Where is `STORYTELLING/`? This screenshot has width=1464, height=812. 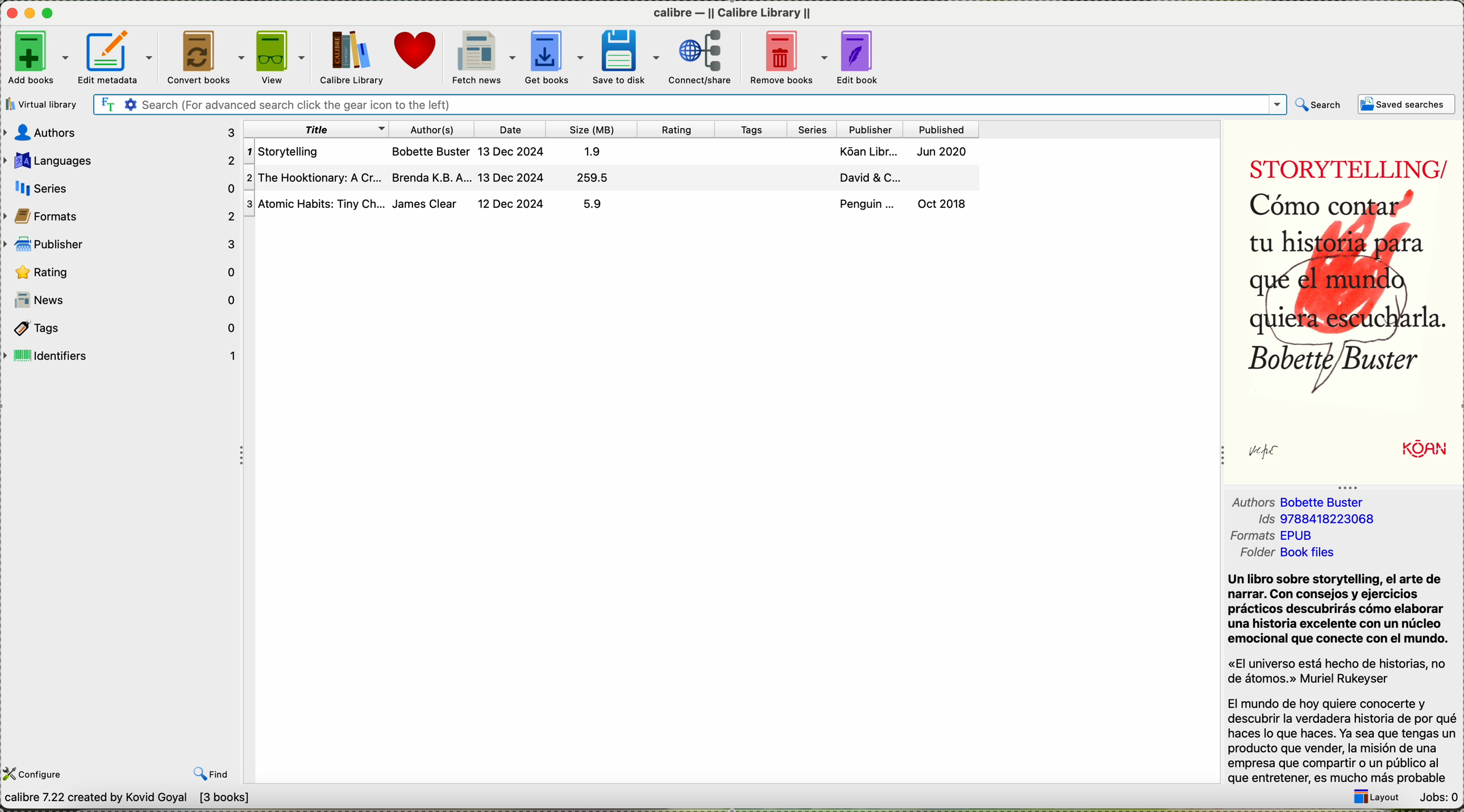
STORYTELLING/ is located at coordinates (1341, 163).